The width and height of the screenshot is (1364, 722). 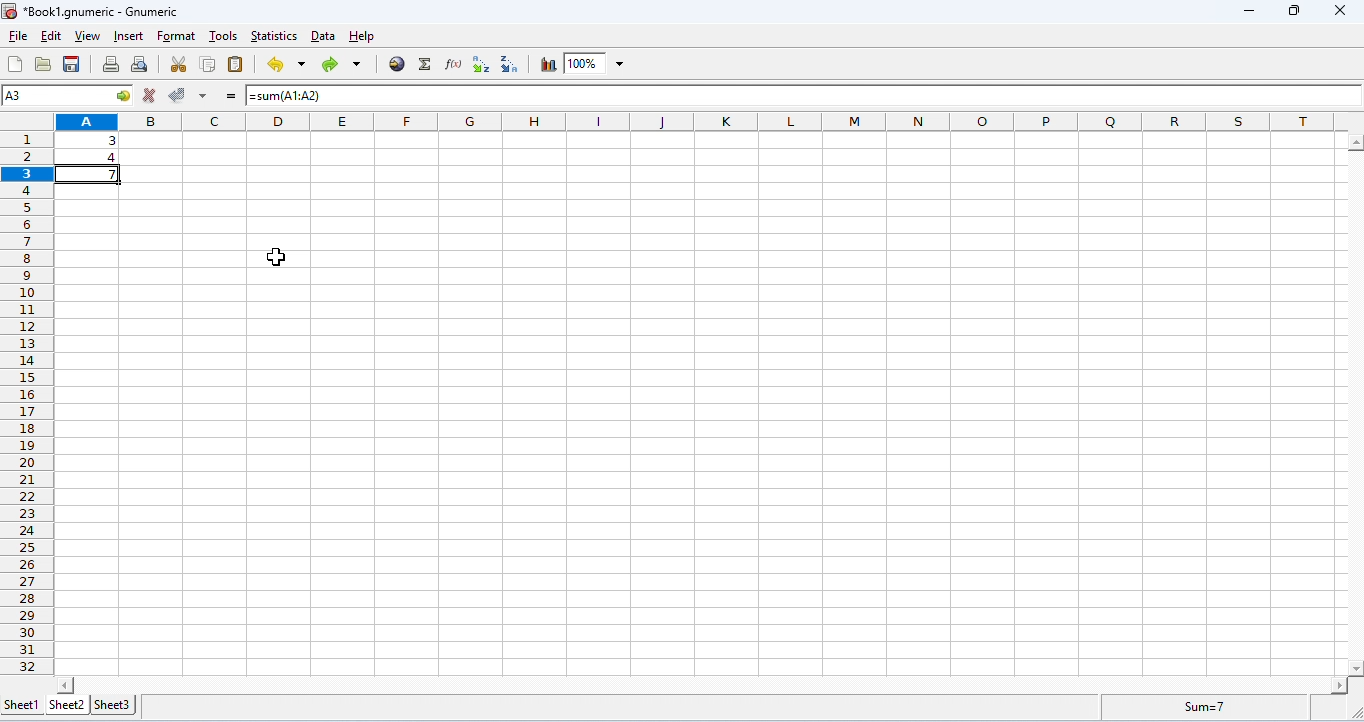 What do you see at coordinates (237, 64) in the screenshot?
I see `paste` at bounding box center [237, 64].